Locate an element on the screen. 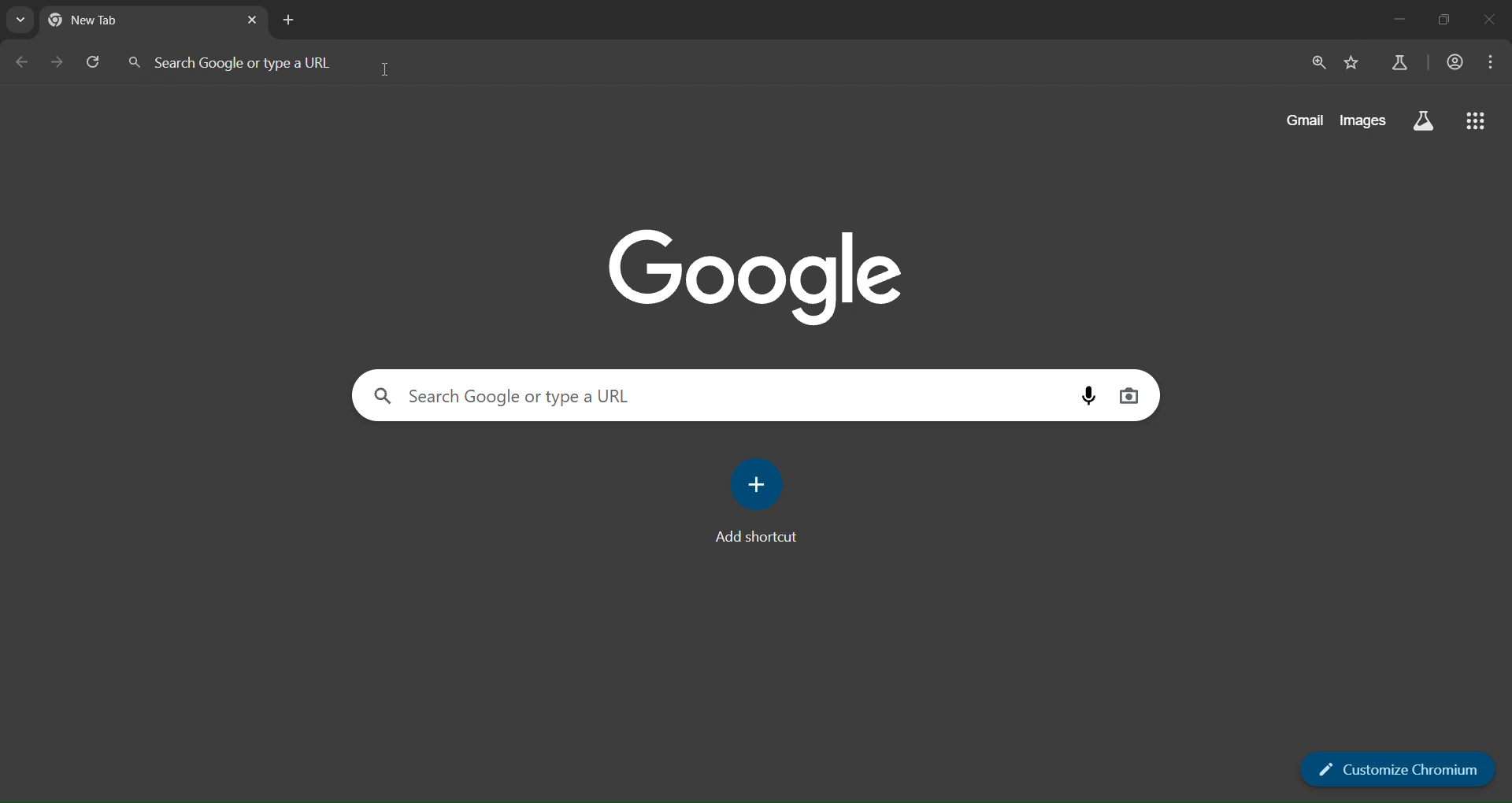  search labs is located at coordinates (1399, 61).